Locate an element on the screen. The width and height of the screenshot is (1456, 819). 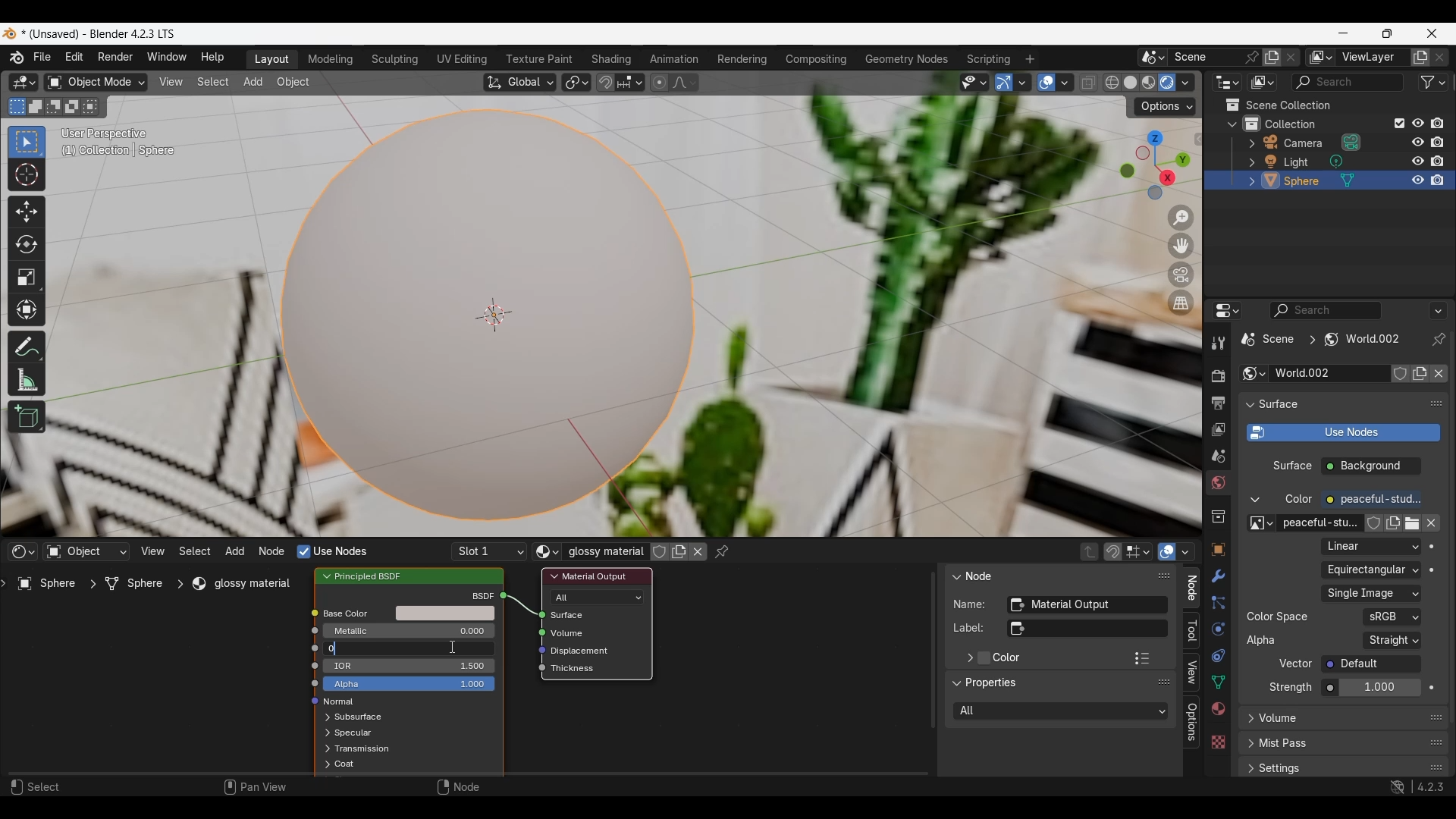
Rendered and viewport shading types to use the shades for is located at coordinates (1062, 711).